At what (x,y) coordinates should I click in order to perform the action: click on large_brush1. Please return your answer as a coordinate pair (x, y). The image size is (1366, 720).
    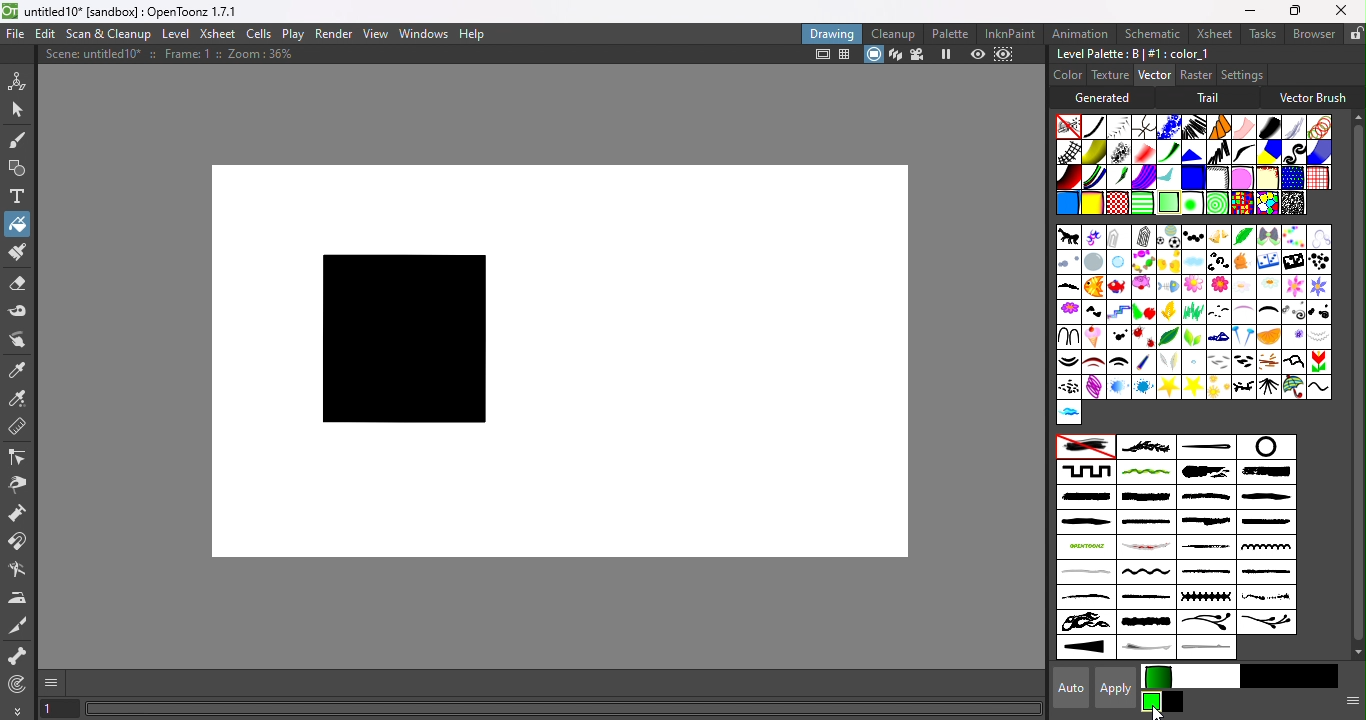
    Looking at the image, I should click on (1204, 472).